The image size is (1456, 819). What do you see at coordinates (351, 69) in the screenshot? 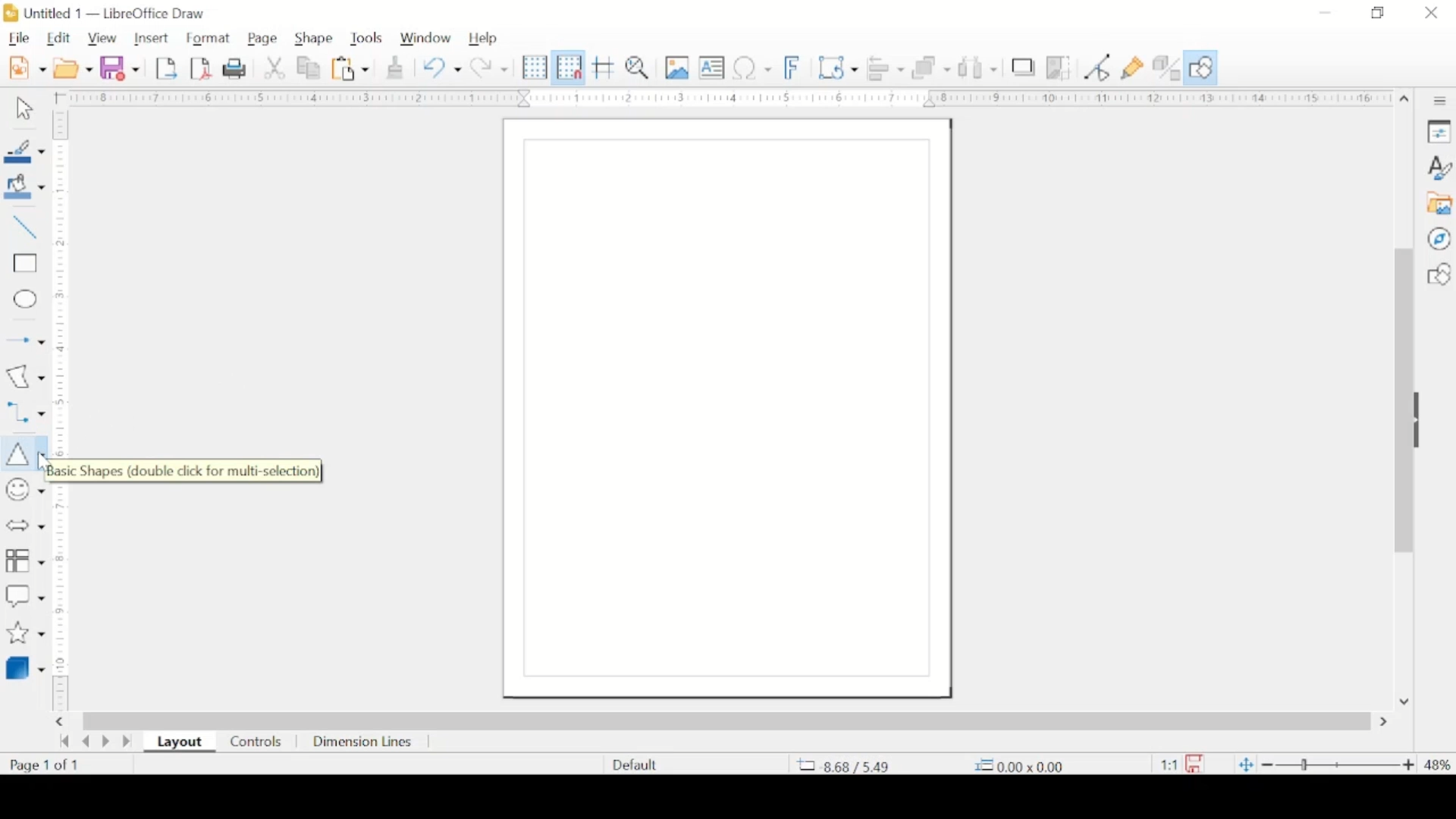
I see `paste options` at bounding box center [351, 69].